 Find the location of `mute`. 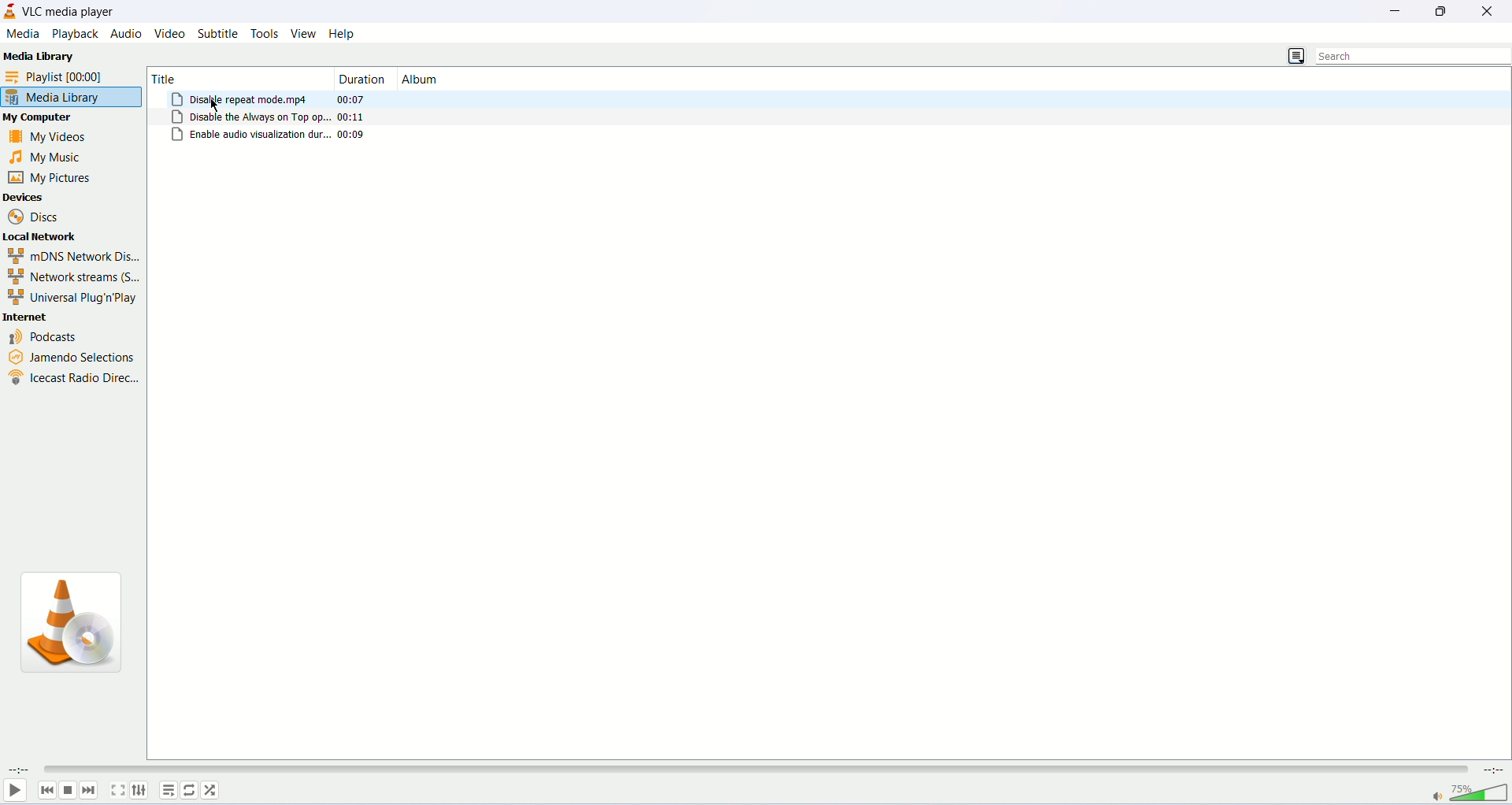

mute is located at coordinates (1436, 798).